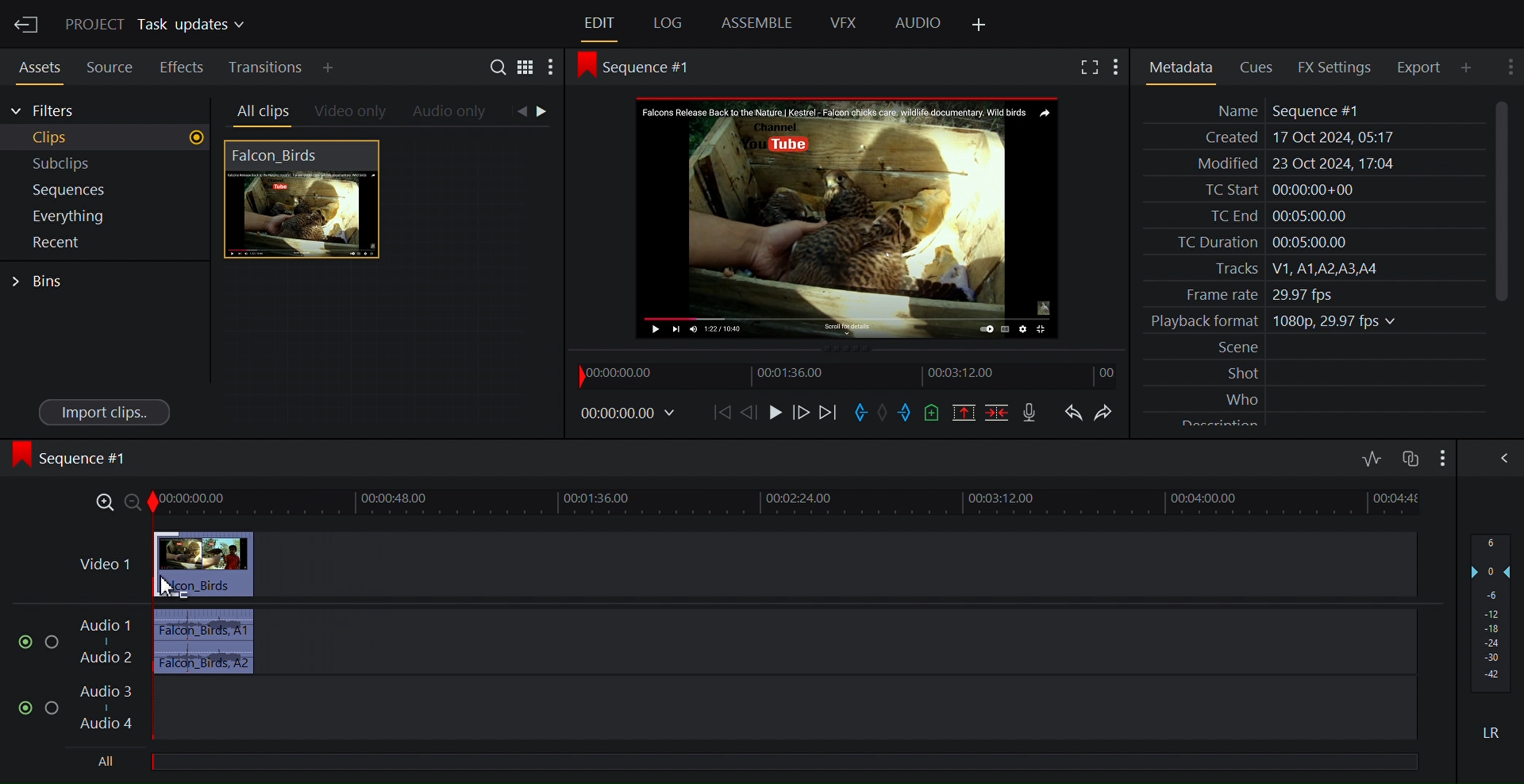 The image size is (1524, 784). I want to click on Add Panle, so click(1471, 67).